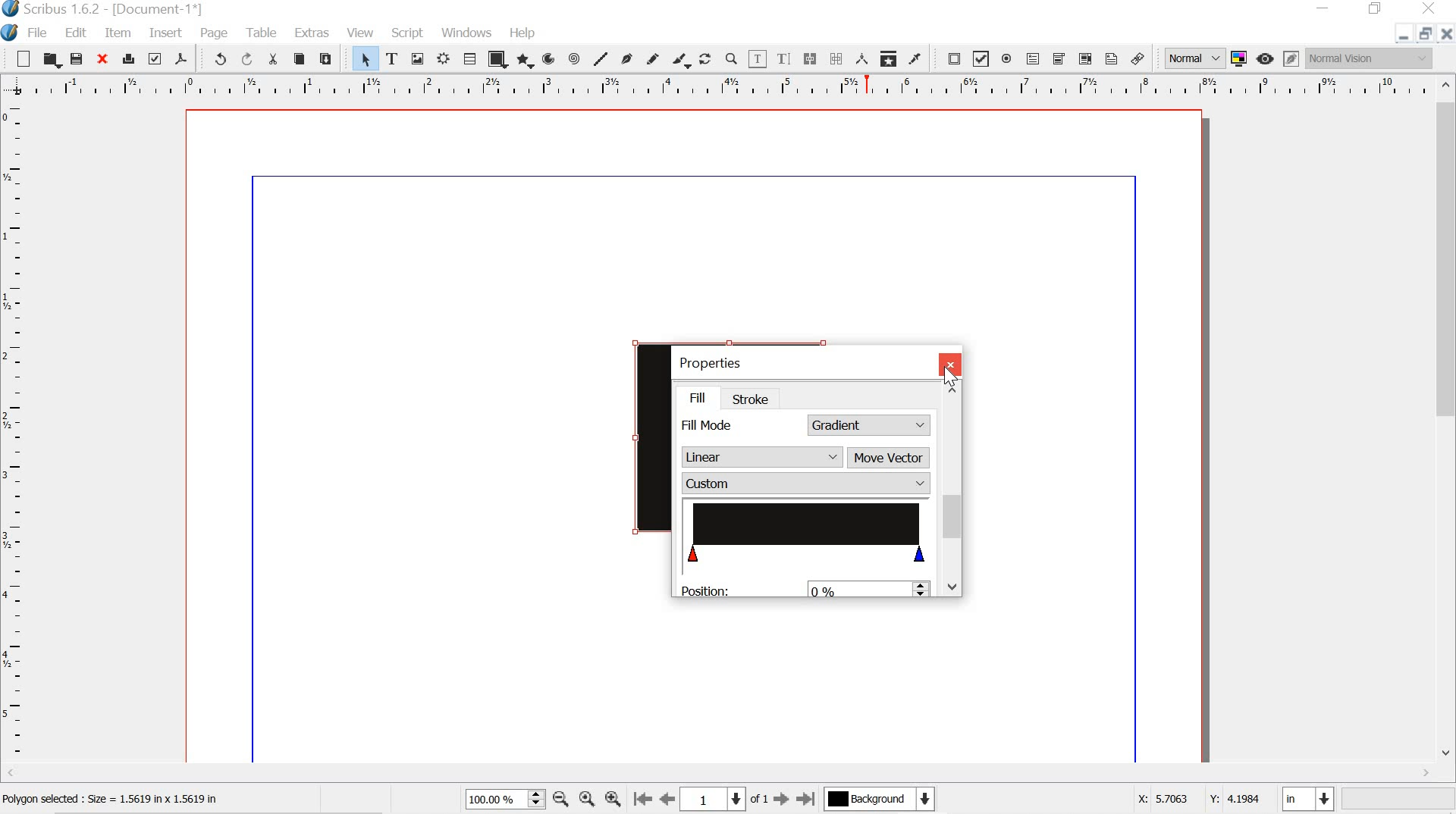 The height and width of the screenshot is (814, 1456). What do you see at coordinates (218, 33) in the screenshot?
I see `page` at bounding box center [218, 33].